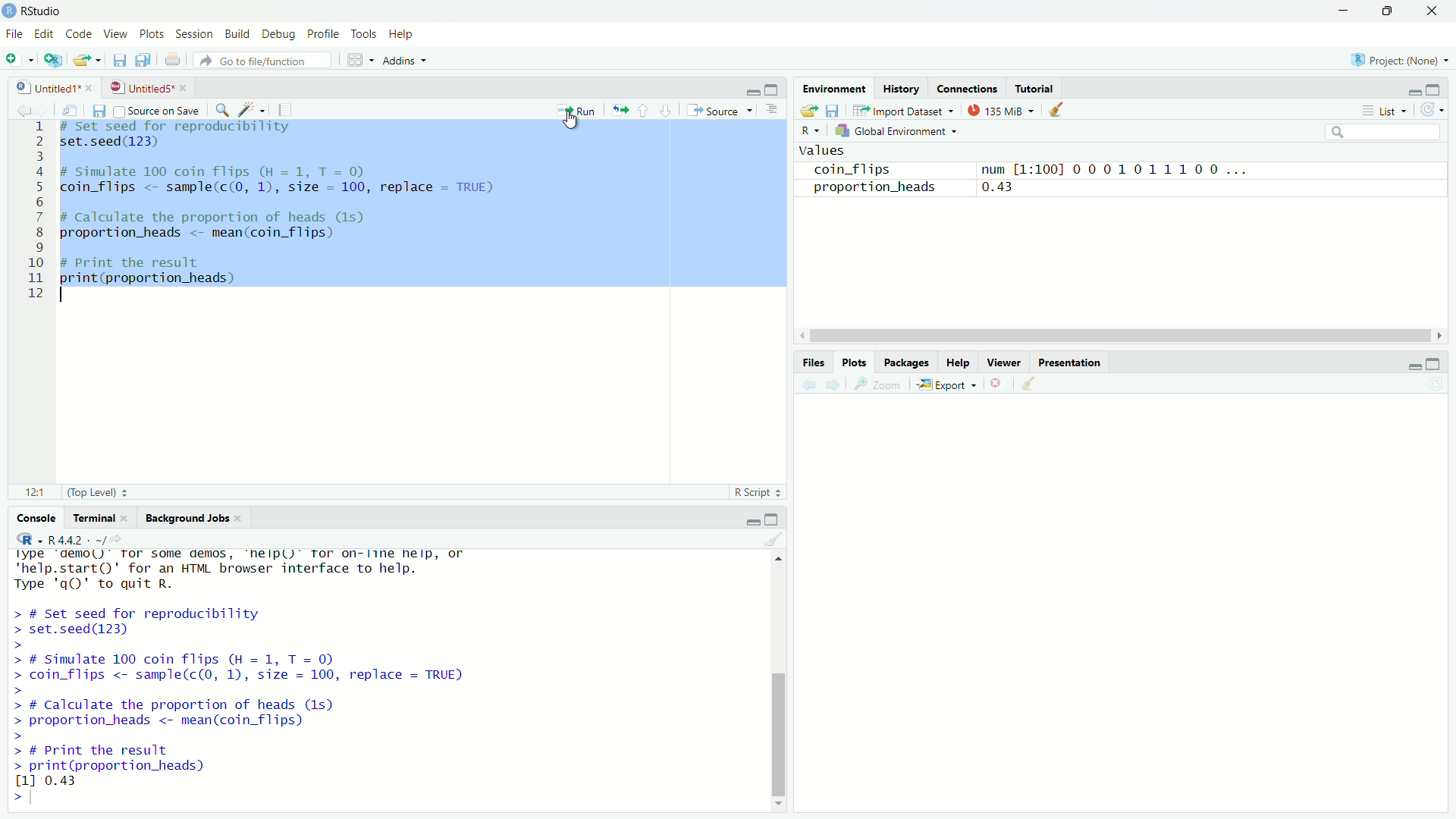 The image size is (1456, 819). Describe the element at coordinates (907, 362) in the screenshot. I see `Packages` at that location.